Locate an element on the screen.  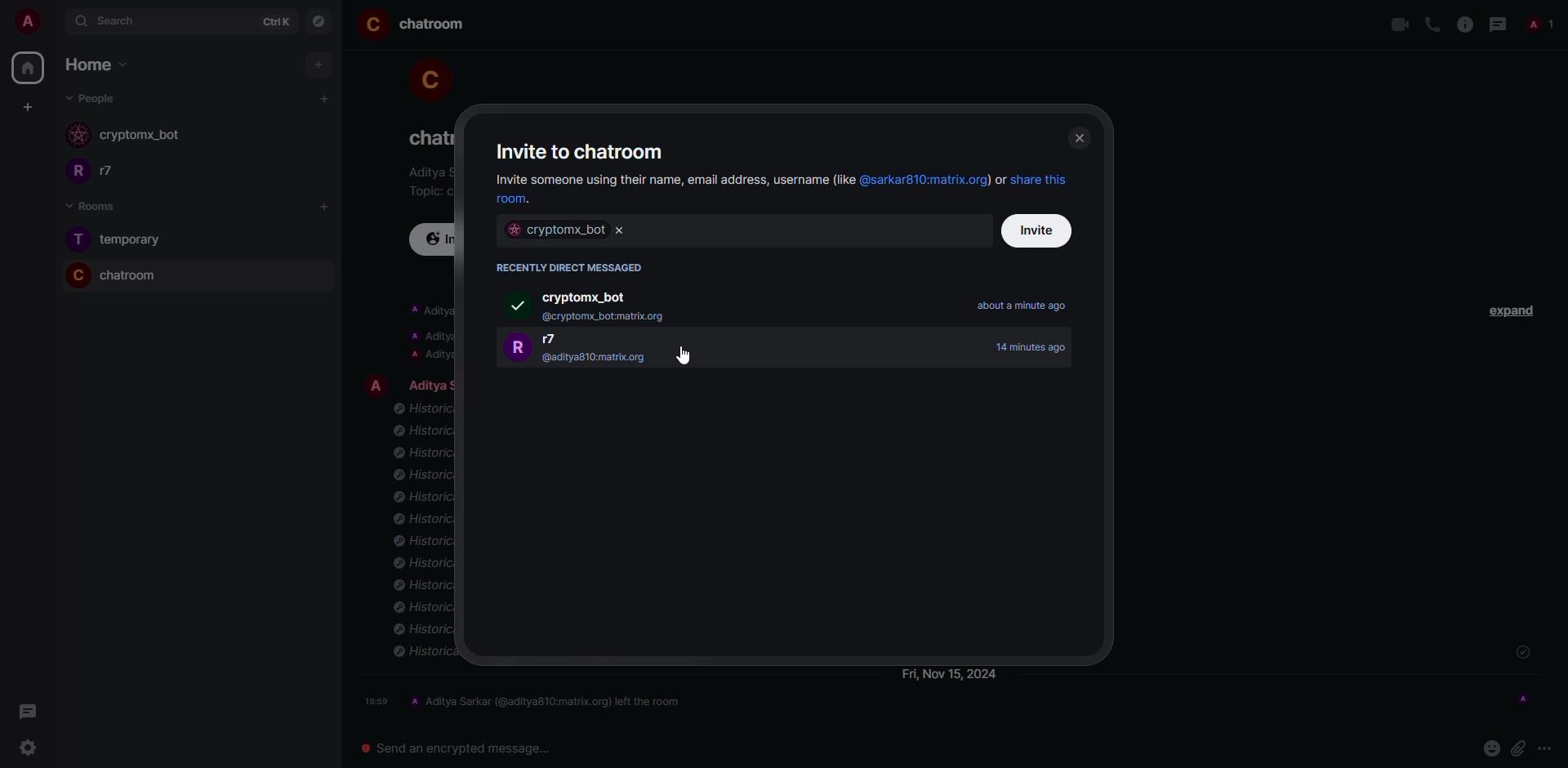
hyperlinks is located at coordinates (965, 181).